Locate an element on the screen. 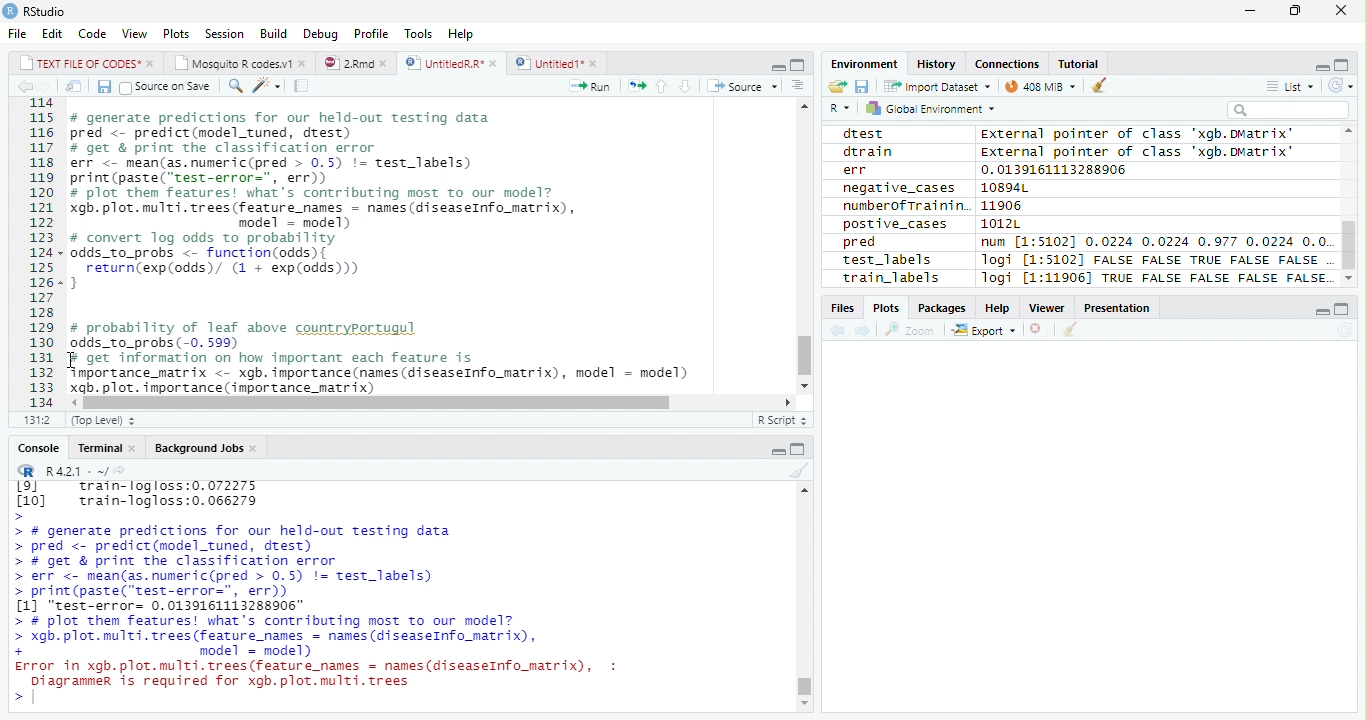  Lol train-logloss:0.072275
[10]  train-logloss:0.066279 is located at coordinates (138, 500).